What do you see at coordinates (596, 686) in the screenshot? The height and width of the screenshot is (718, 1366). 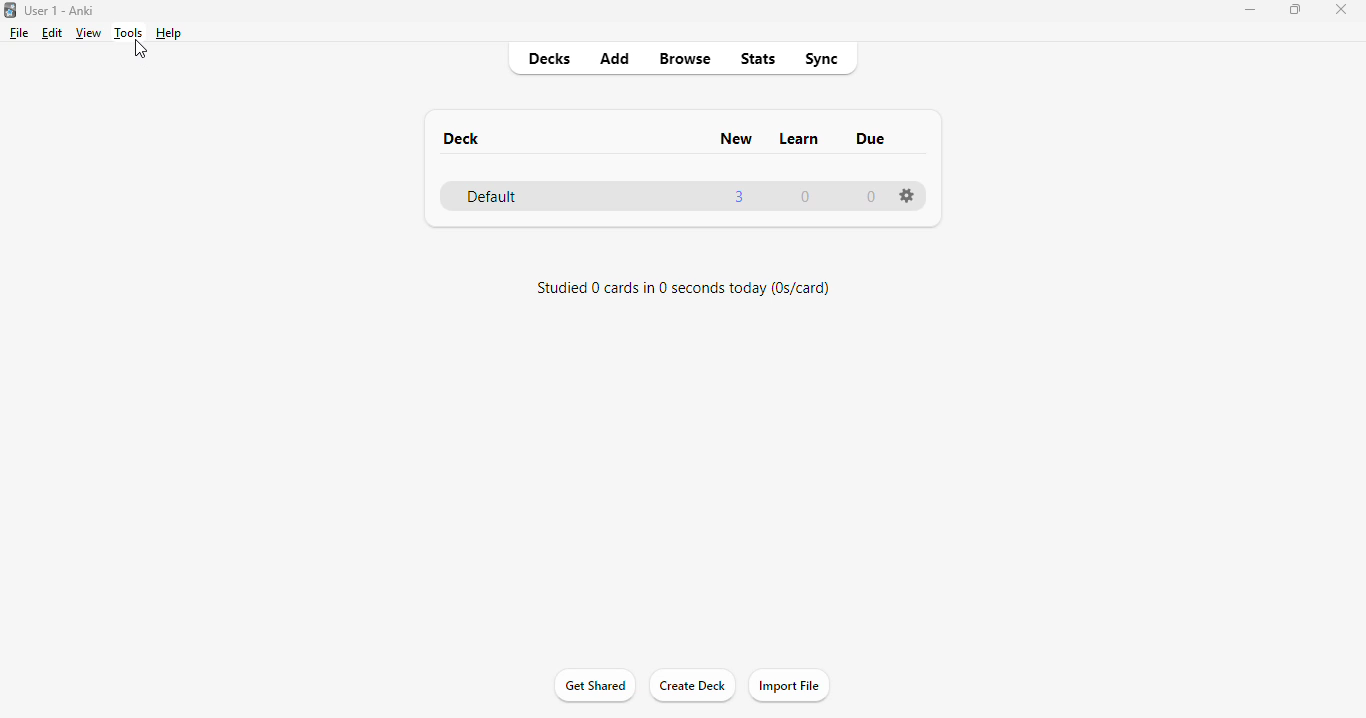 I see `get shared` at bounding box center [596, 686].